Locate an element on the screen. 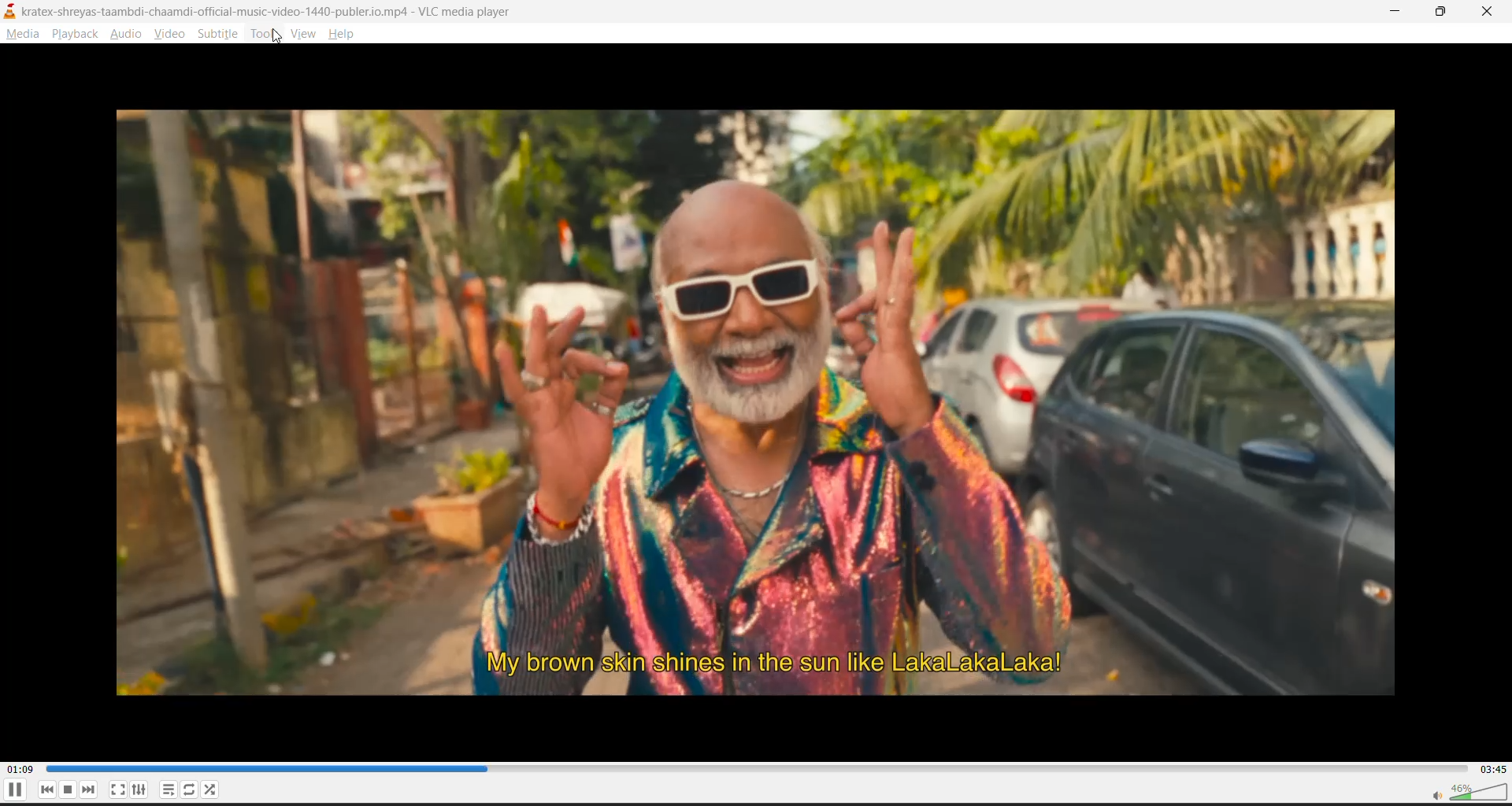 The image size is (1512, 806). random is located at coordinates (213, 791).